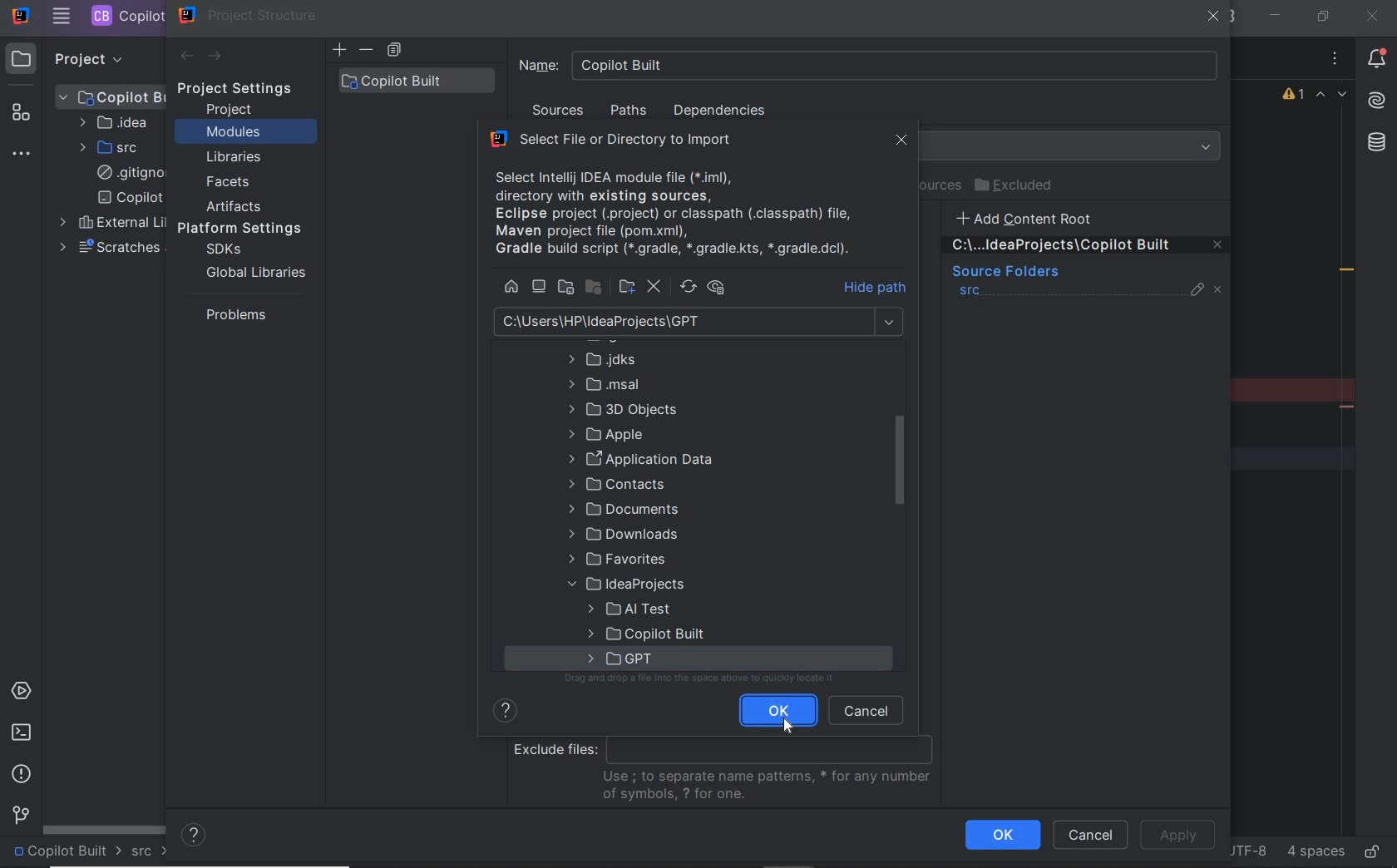 This screenshot has width=1397, height=868. Describe the element at coordinates (112, 96) in the screenshot. I see `PROJECT FILE ANME` at that location.